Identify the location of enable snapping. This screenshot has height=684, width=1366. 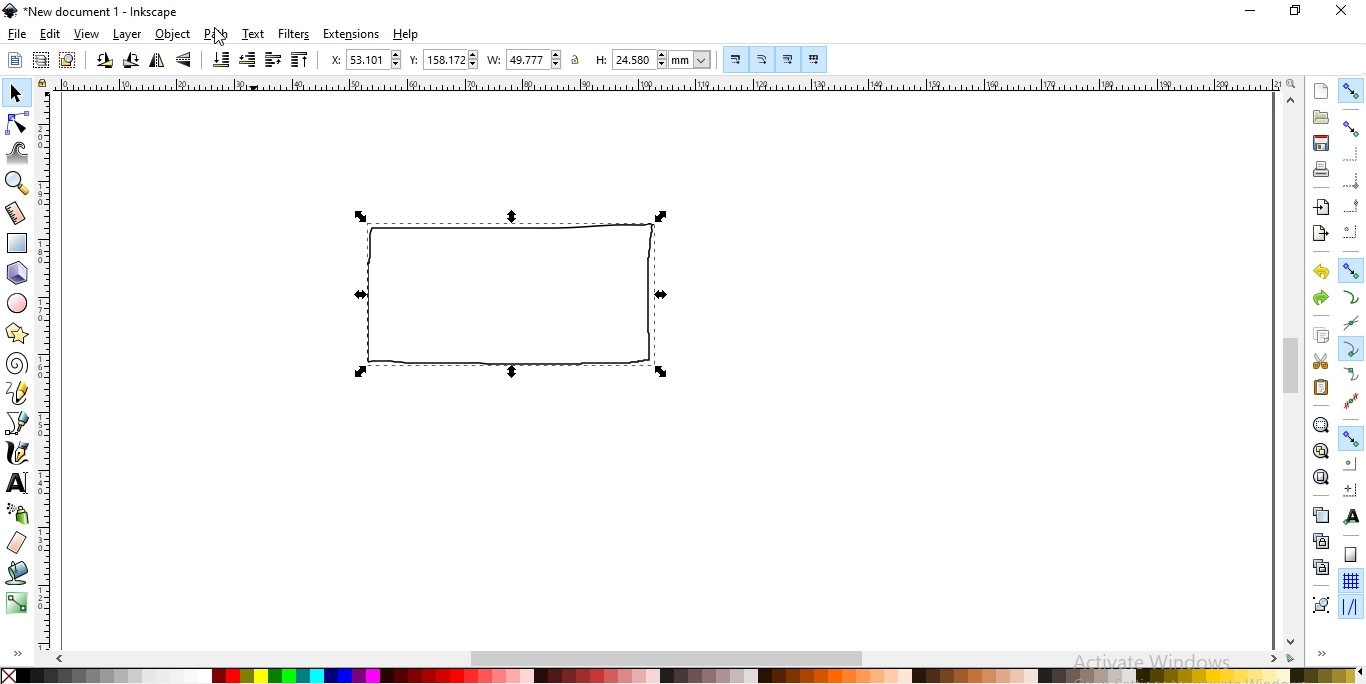
(1351, 91).